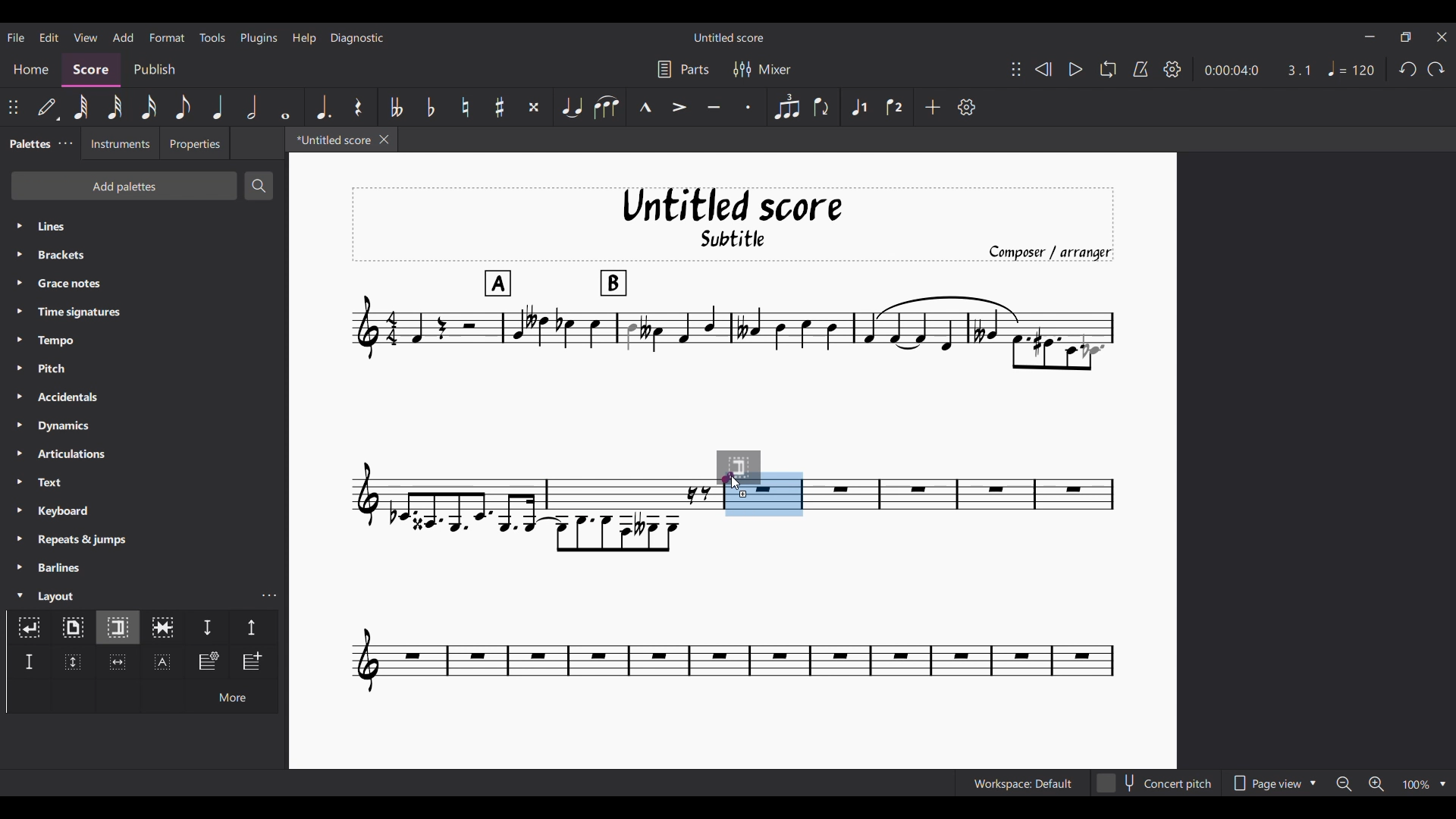 The image size is (1456, 819). I want to click on Brackets, so click(143, 255).